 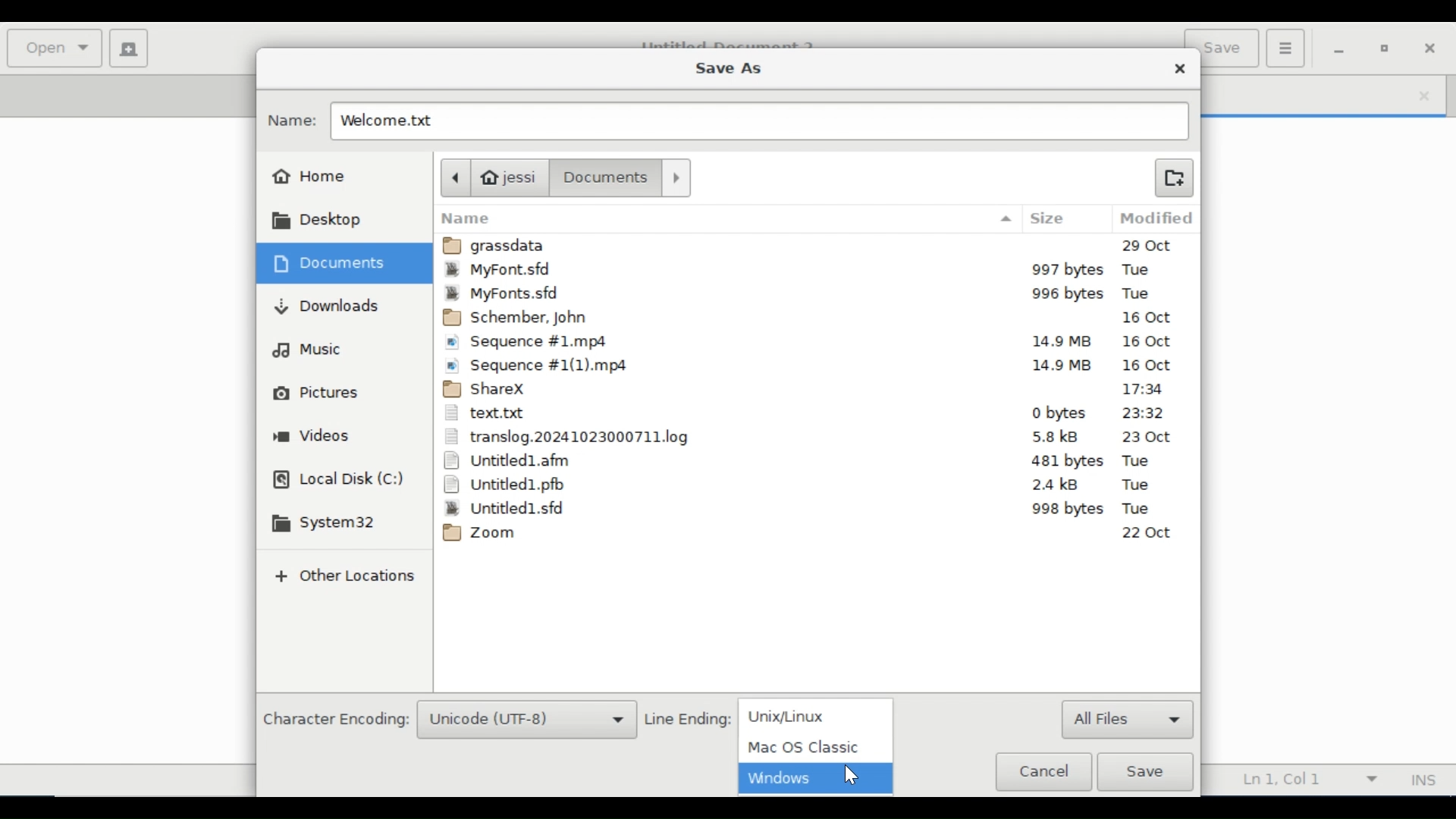 What do you see at coordinates (812, 461) in the screenshot?
I see `Untitled1.afm 481bytes Tue` at bounding box center [812, 461].